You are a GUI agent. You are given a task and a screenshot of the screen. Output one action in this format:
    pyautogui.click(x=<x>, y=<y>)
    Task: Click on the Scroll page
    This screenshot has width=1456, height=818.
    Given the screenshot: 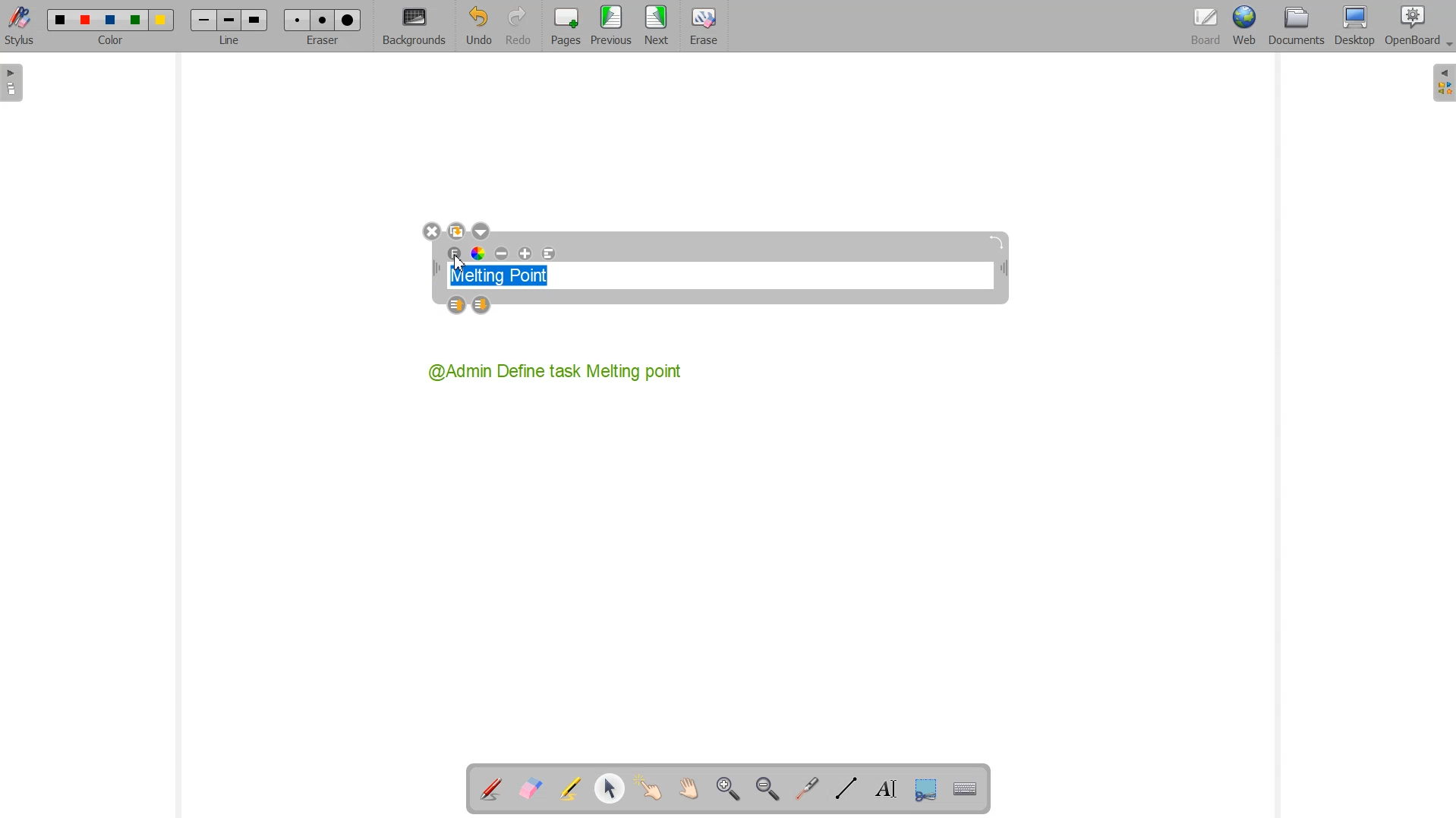 What is the action you would take?
    pyautogui.click(x=686, y=789)
    